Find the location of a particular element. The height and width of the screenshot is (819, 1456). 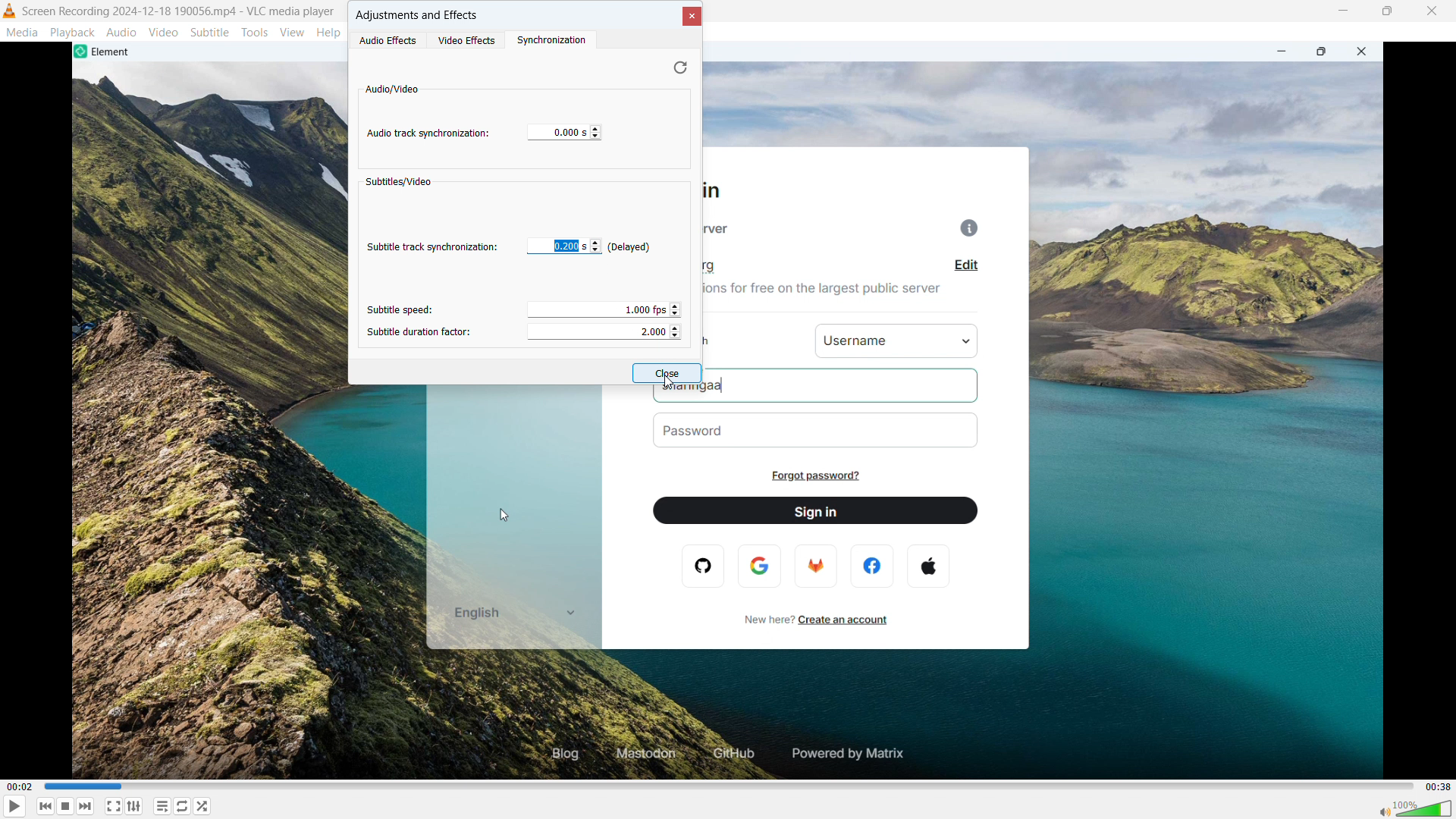

toggle playlist is located at coordinates (162, 807).